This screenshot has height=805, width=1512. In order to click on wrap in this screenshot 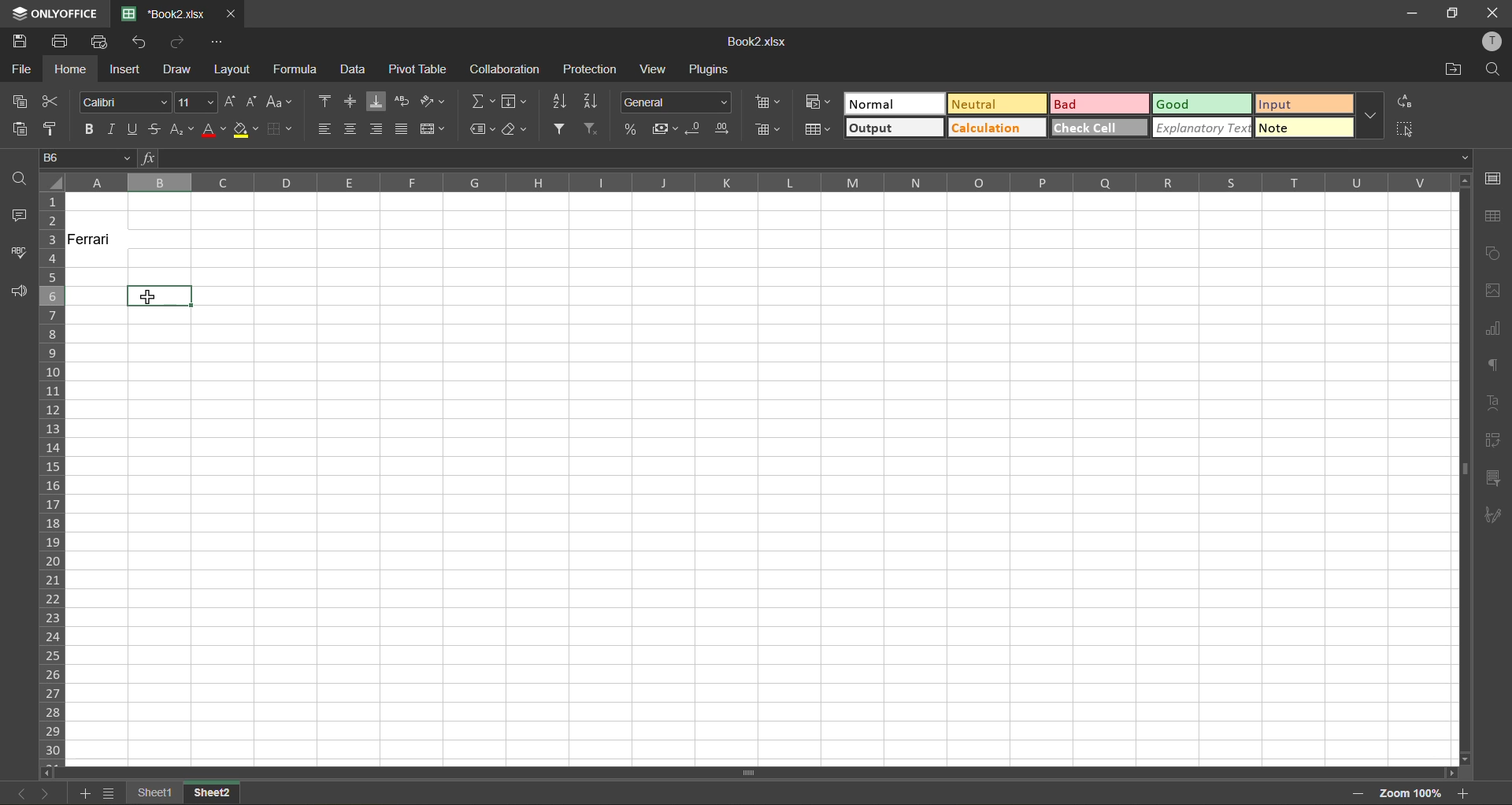, I will do `click(404, 102)`.